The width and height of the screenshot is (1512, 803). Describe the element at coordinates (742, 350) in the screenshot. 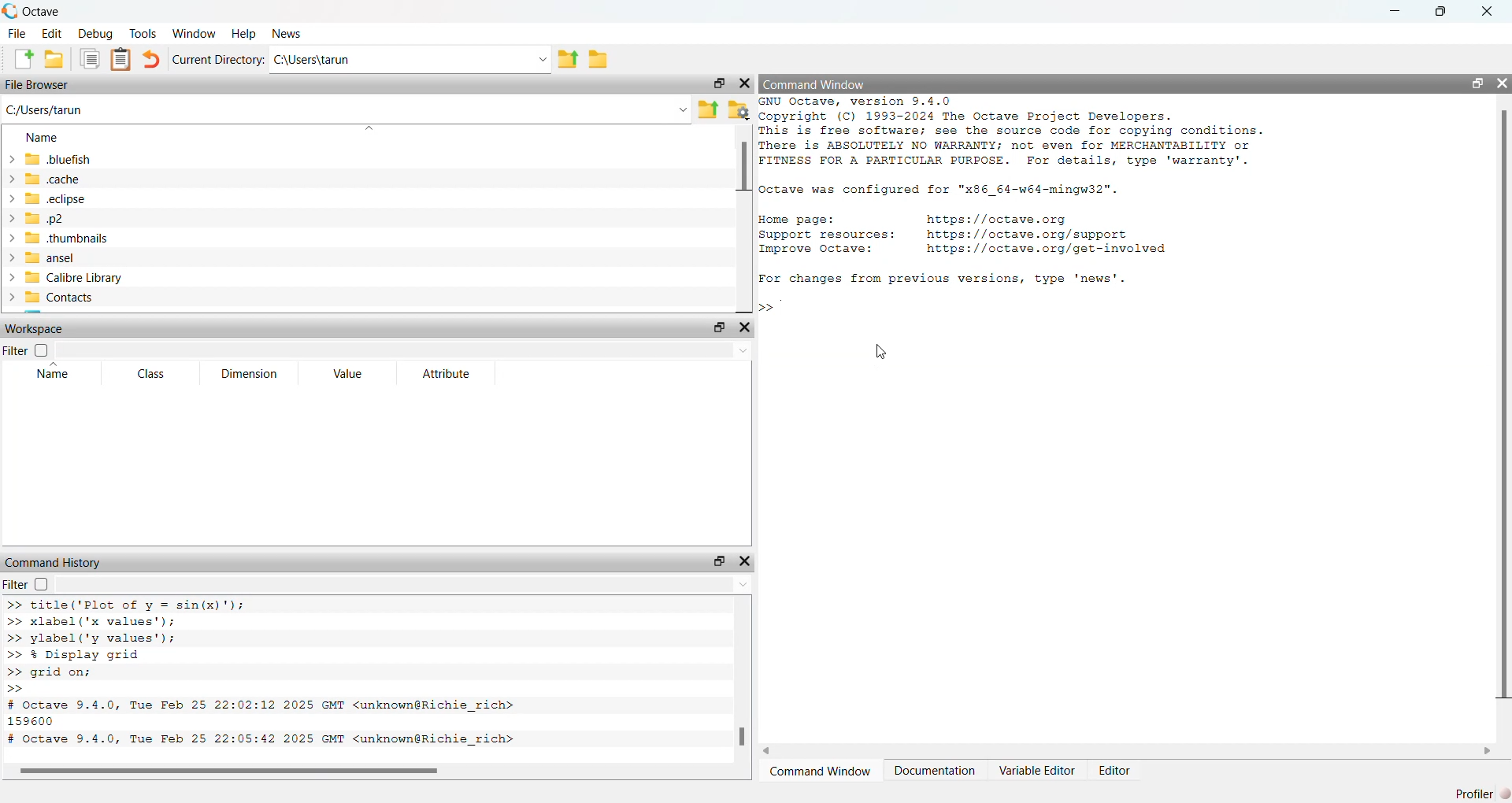

I see `down` at that location.